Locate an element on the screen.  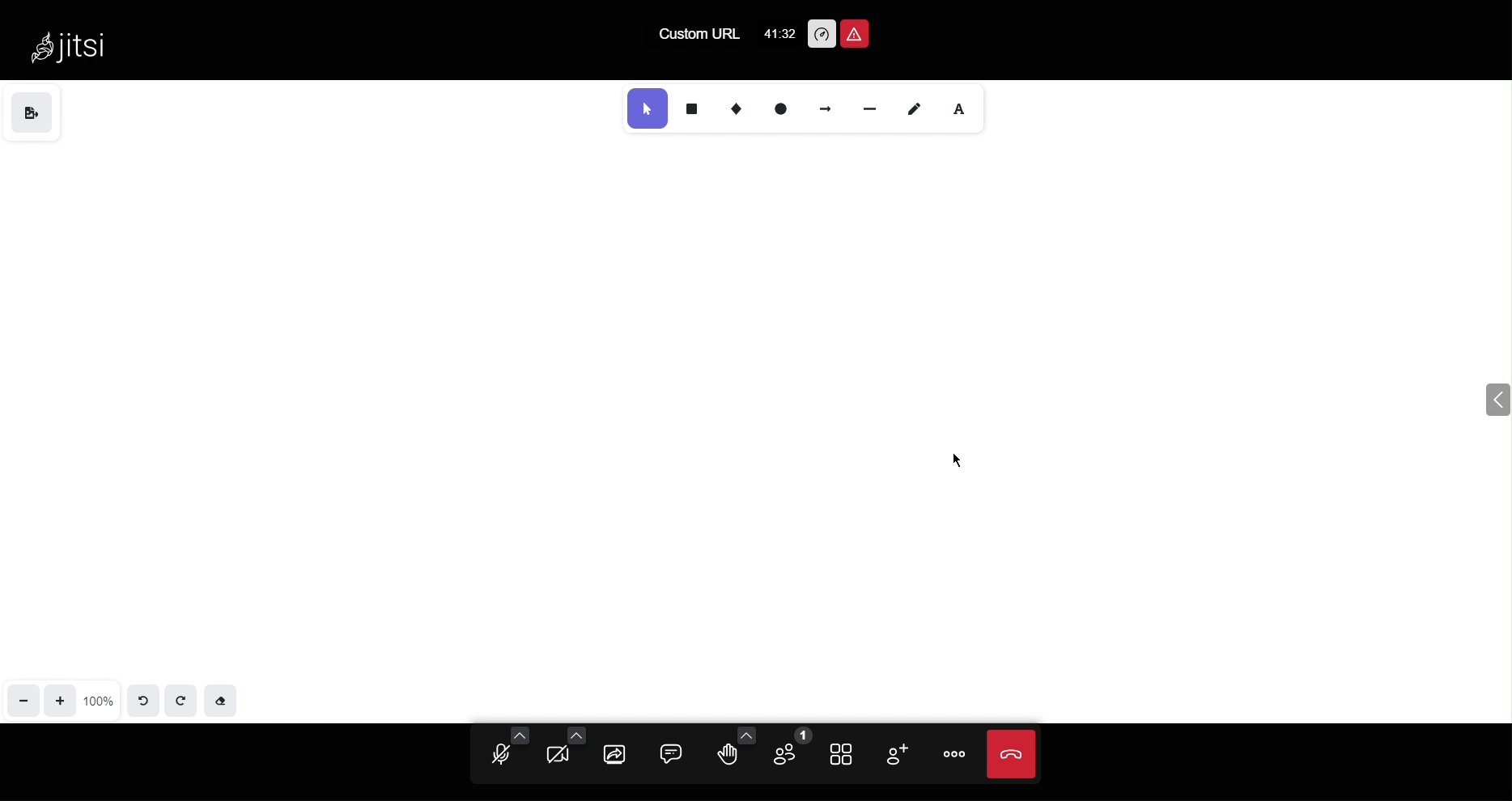
Raise Hand is located at coordinates (732, 751).